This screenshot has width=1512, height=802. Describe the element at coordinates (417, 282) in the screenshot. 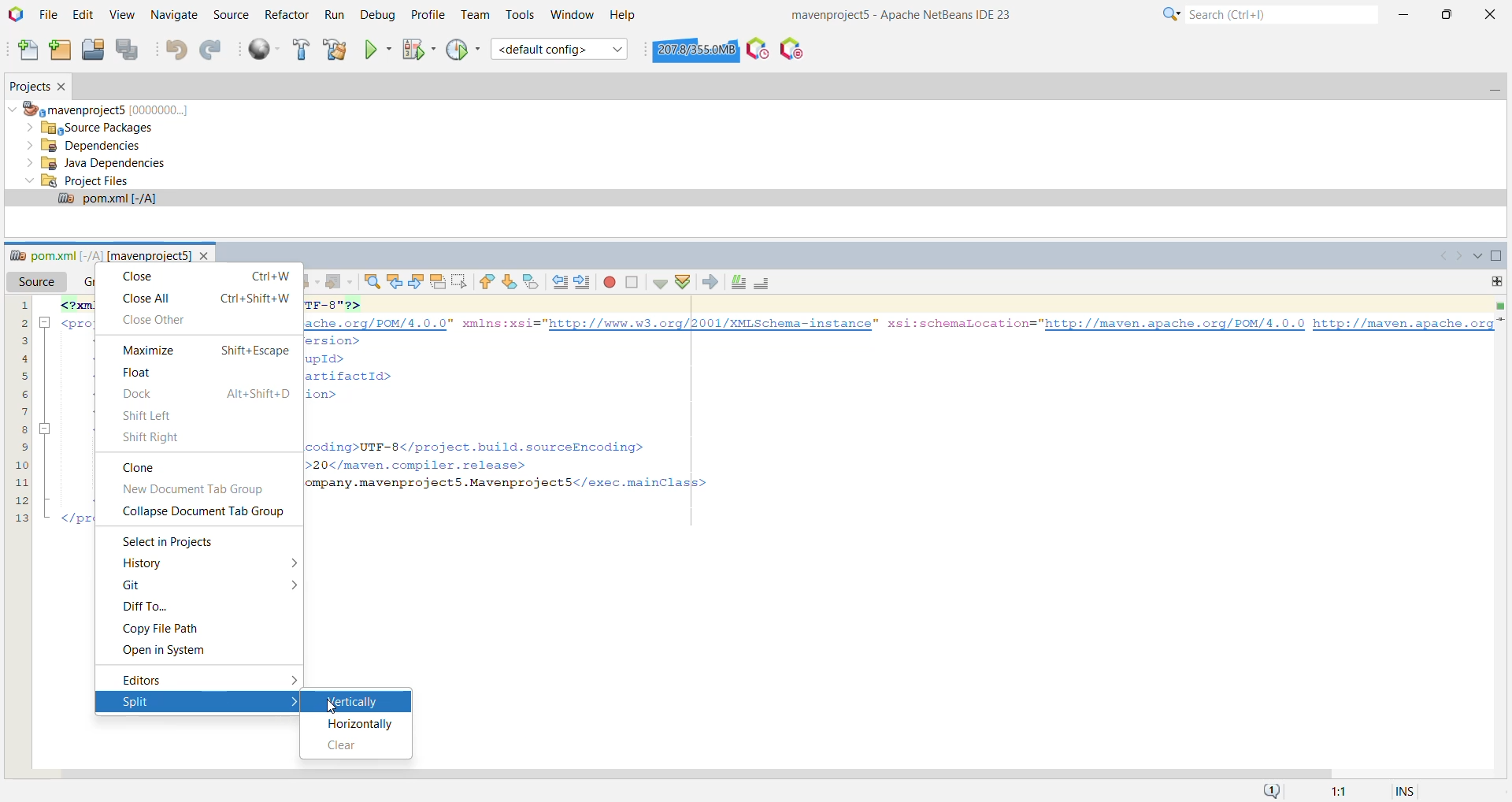

I see `Find Next Occurrence` at that location.